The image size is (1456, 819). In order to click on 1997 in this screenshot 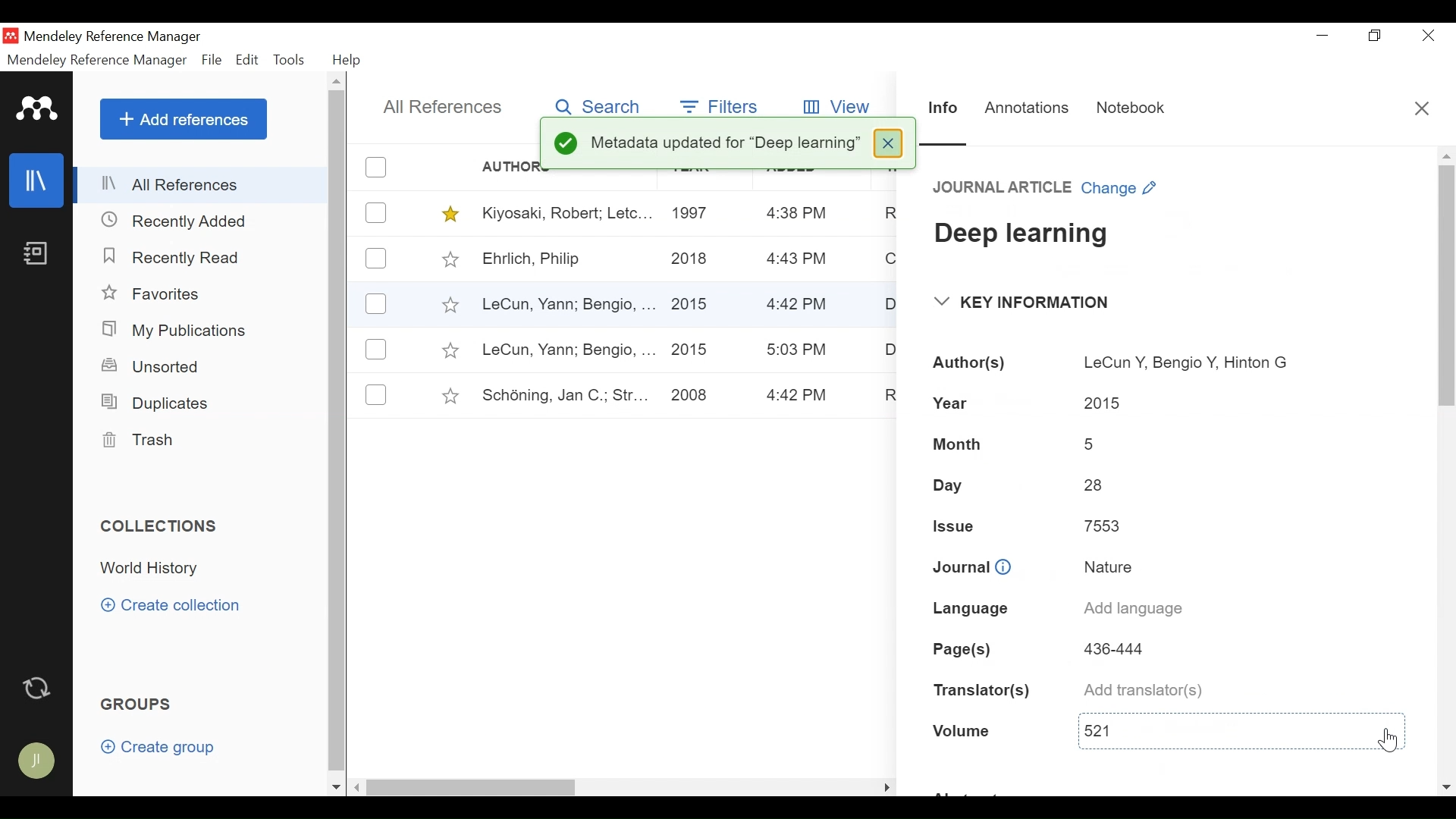, I will do `click(694, 212)`.